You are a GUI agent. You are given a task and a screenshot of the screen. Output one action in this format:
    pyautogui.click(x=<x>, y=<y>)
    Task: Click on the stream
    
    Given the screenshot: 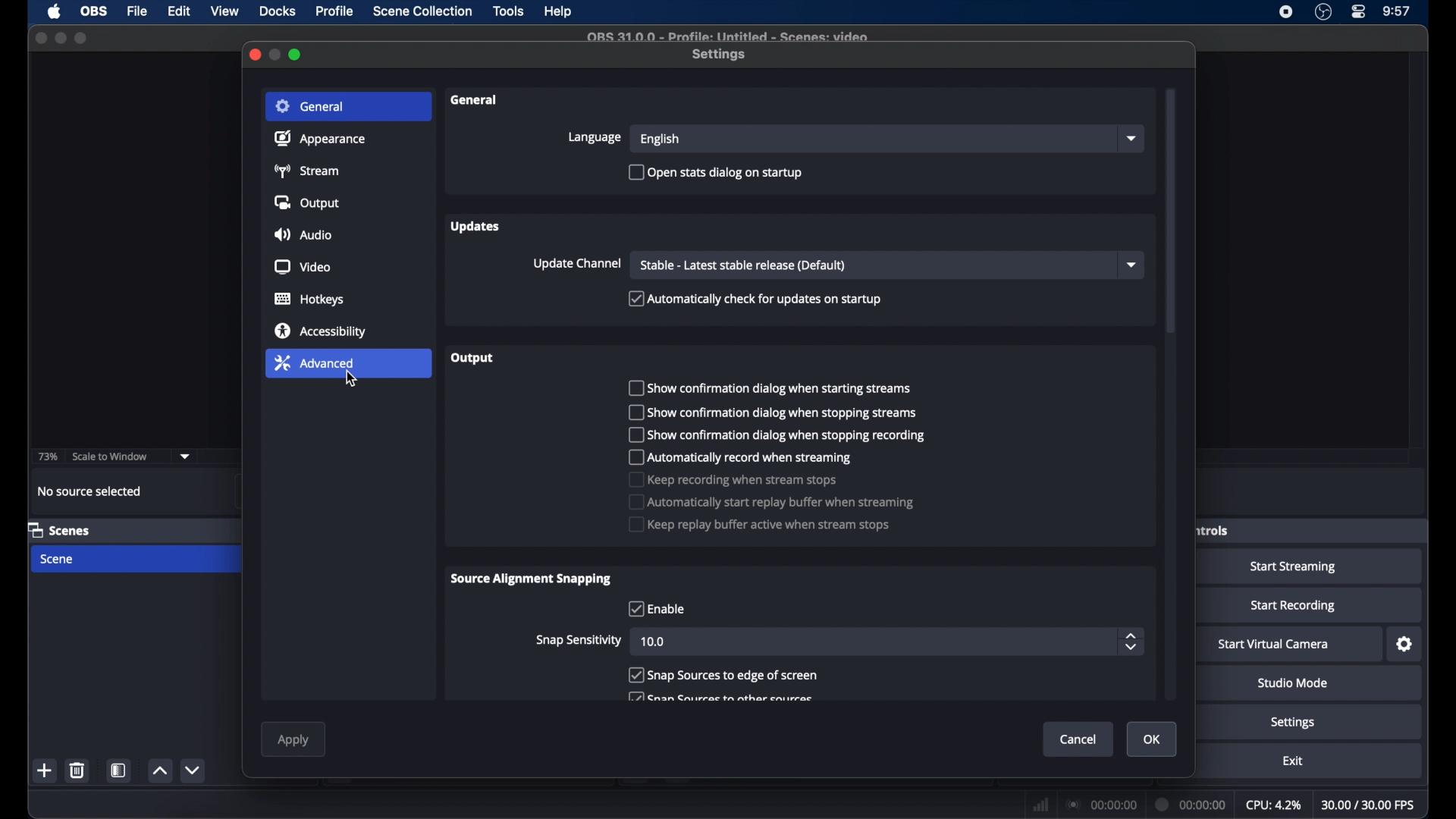 What is the action you would take?
    pyautogui.click(x=305, y=171)
    